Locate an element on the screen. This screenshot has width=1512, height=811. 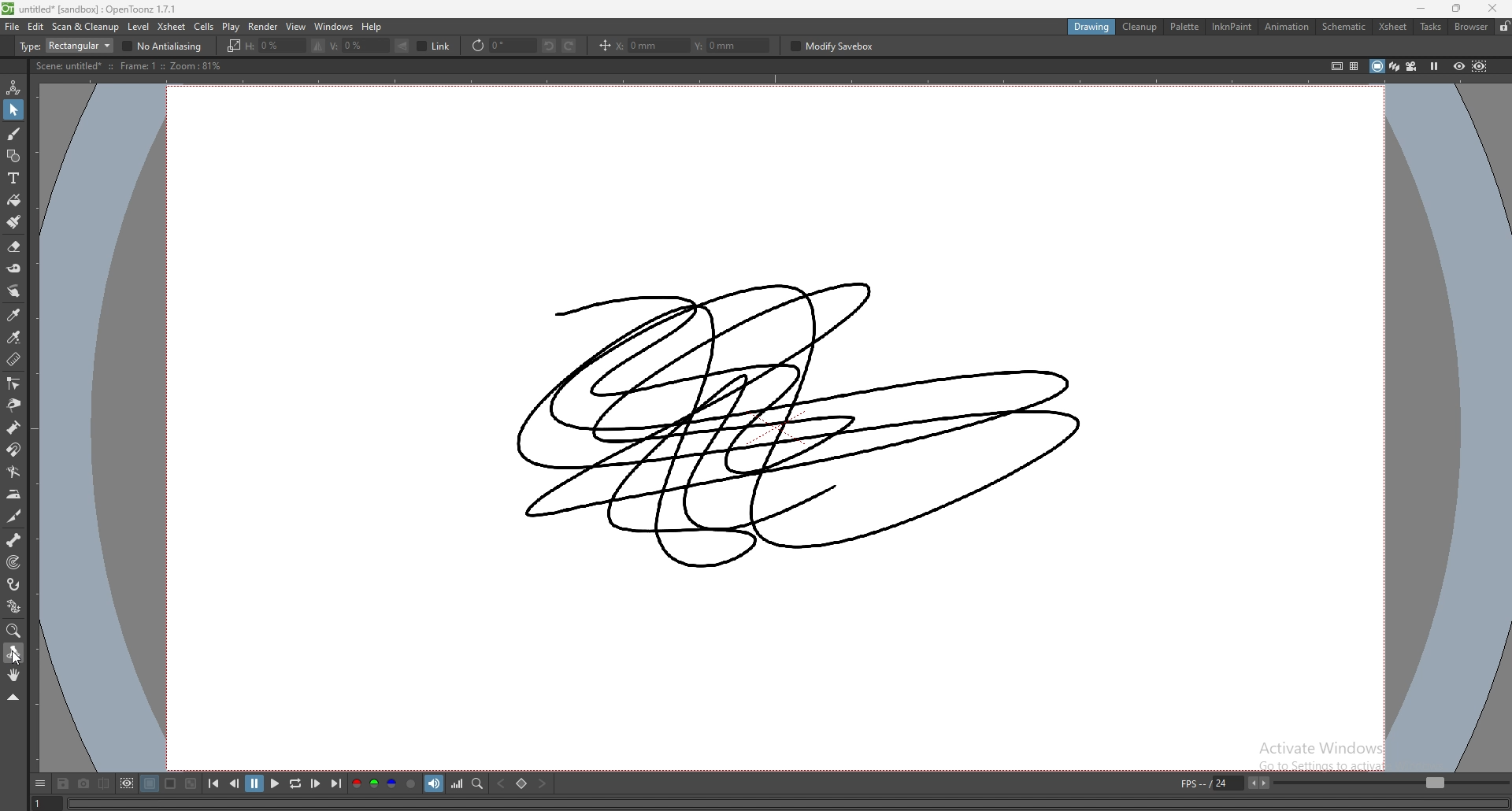
selection tool is located at coordinates (13, 110).